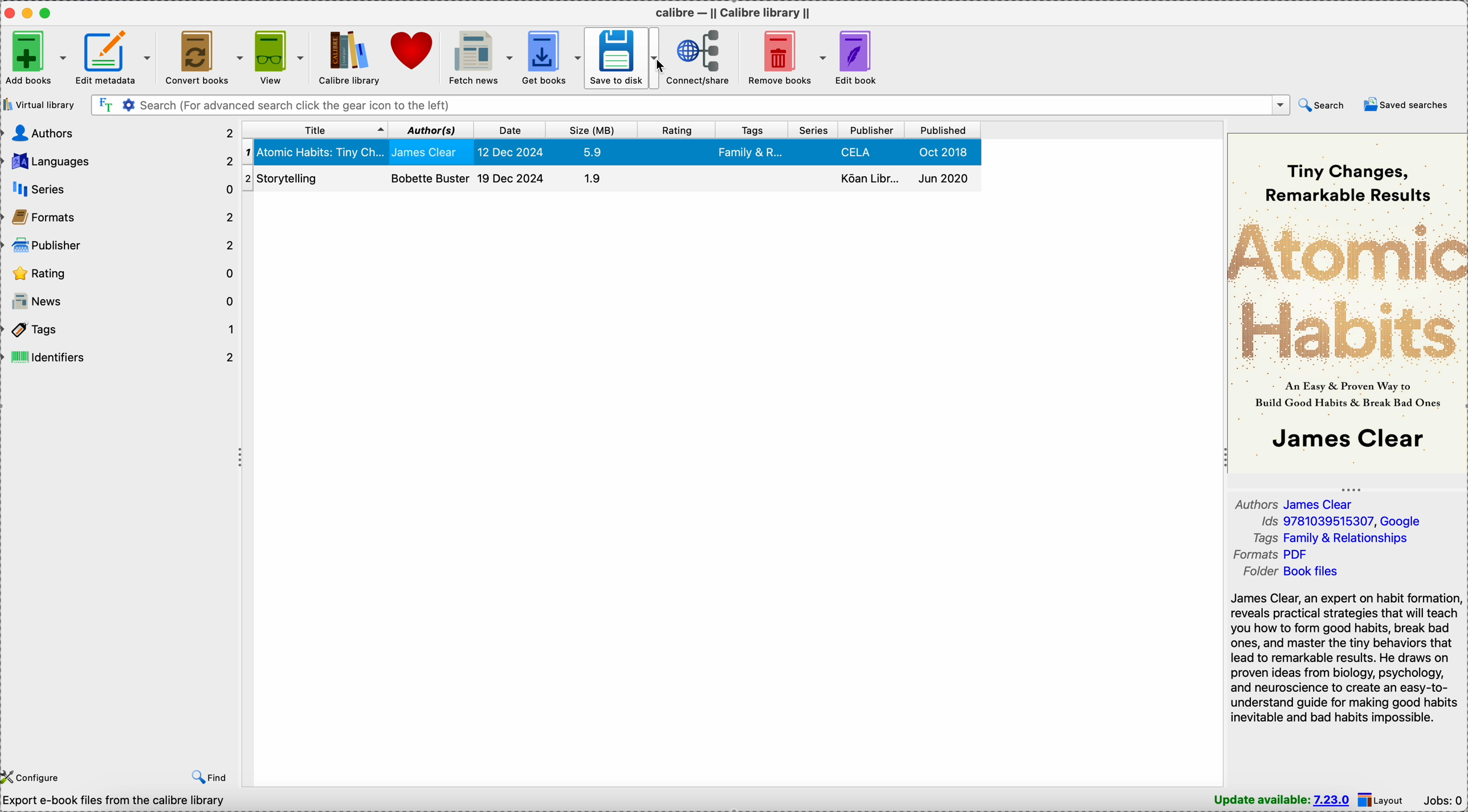  Describe the element at coordinates (695, 57) in the screenshot. I see `connect/share` at that location.